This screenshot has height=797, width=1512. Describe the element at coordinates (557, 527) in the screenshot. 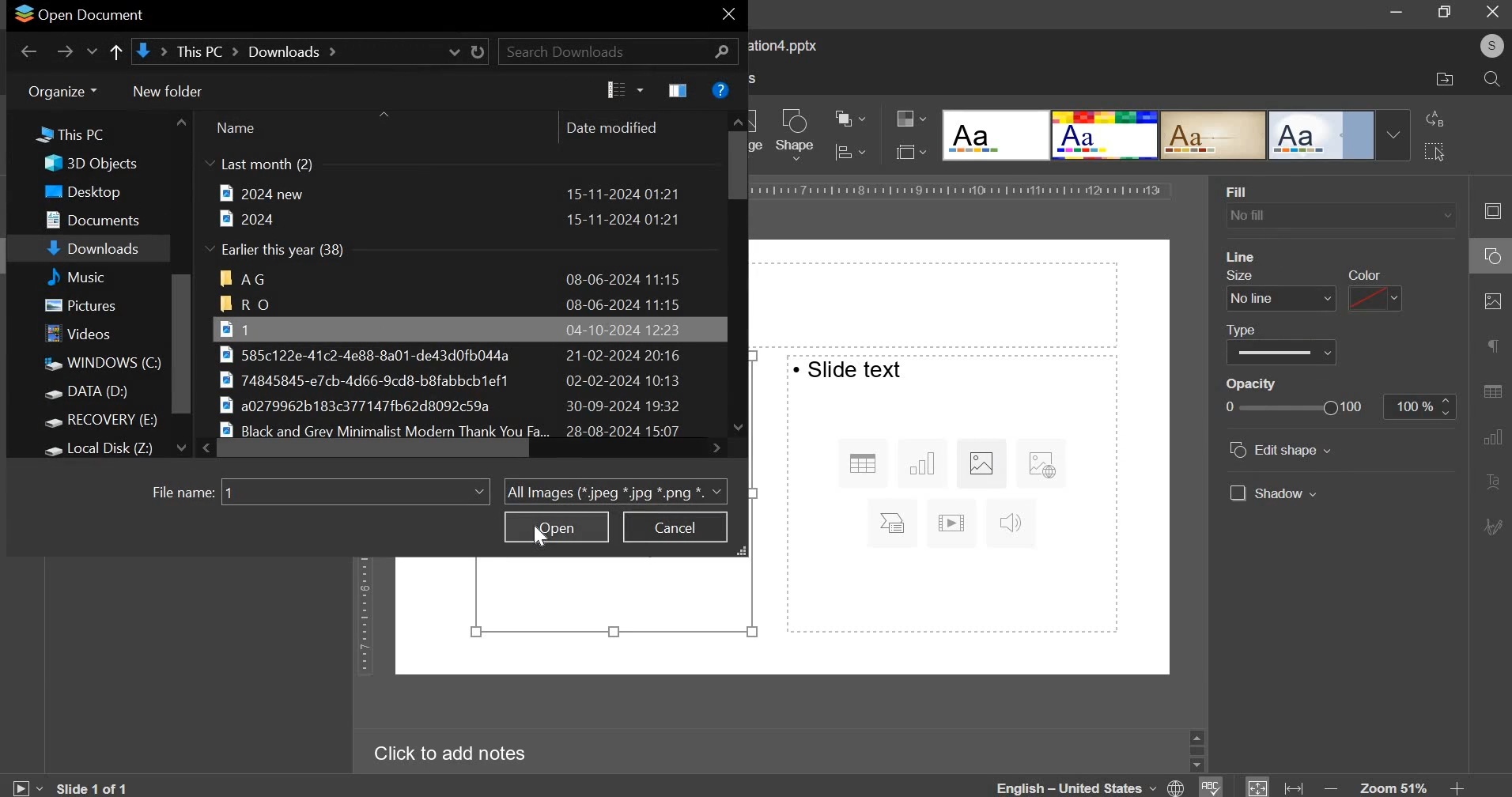

I see `open` at that location.